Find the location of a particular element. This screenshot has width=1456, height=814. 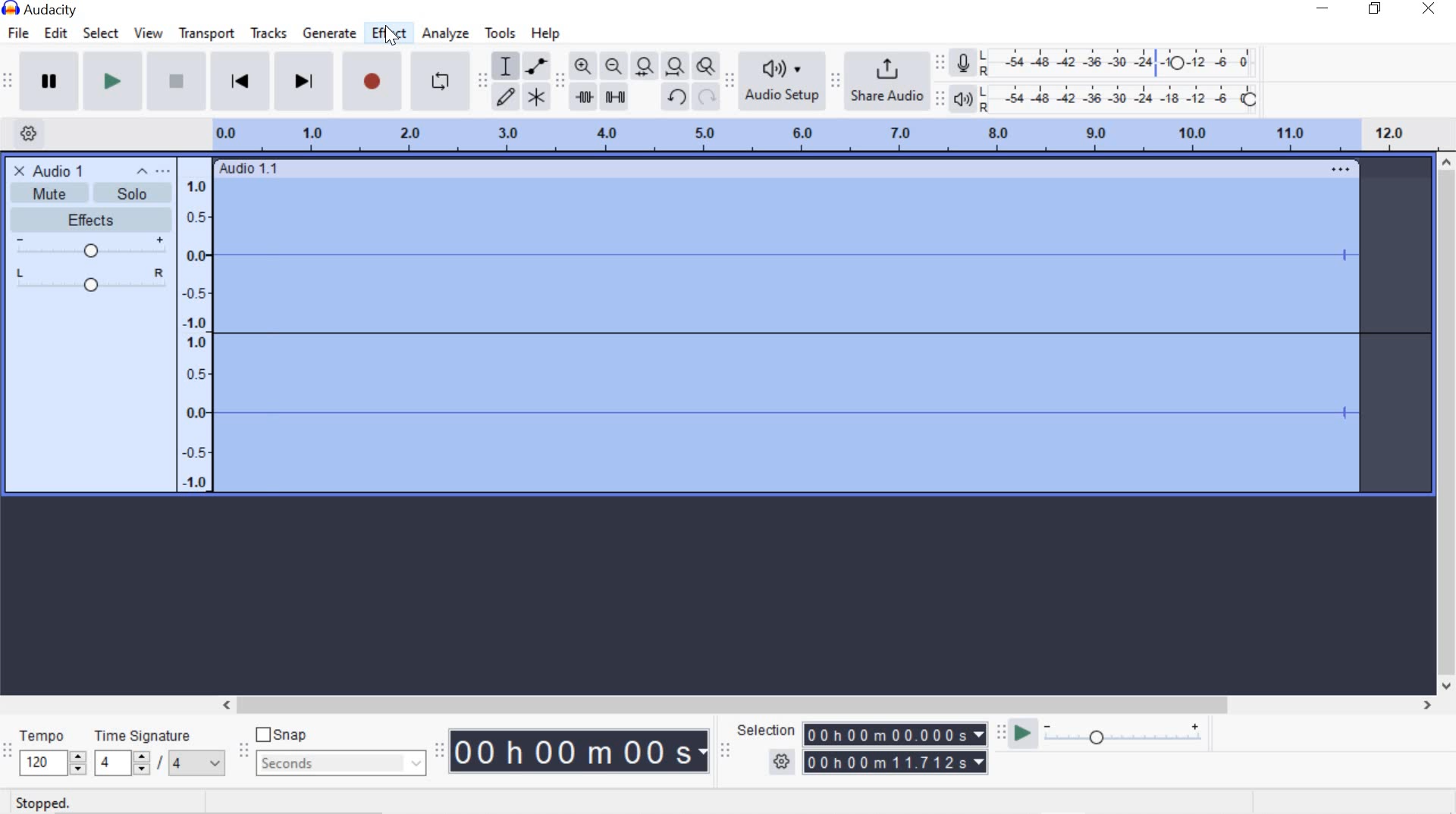

Trim audio outside selection is located at coordinates (583, 95).